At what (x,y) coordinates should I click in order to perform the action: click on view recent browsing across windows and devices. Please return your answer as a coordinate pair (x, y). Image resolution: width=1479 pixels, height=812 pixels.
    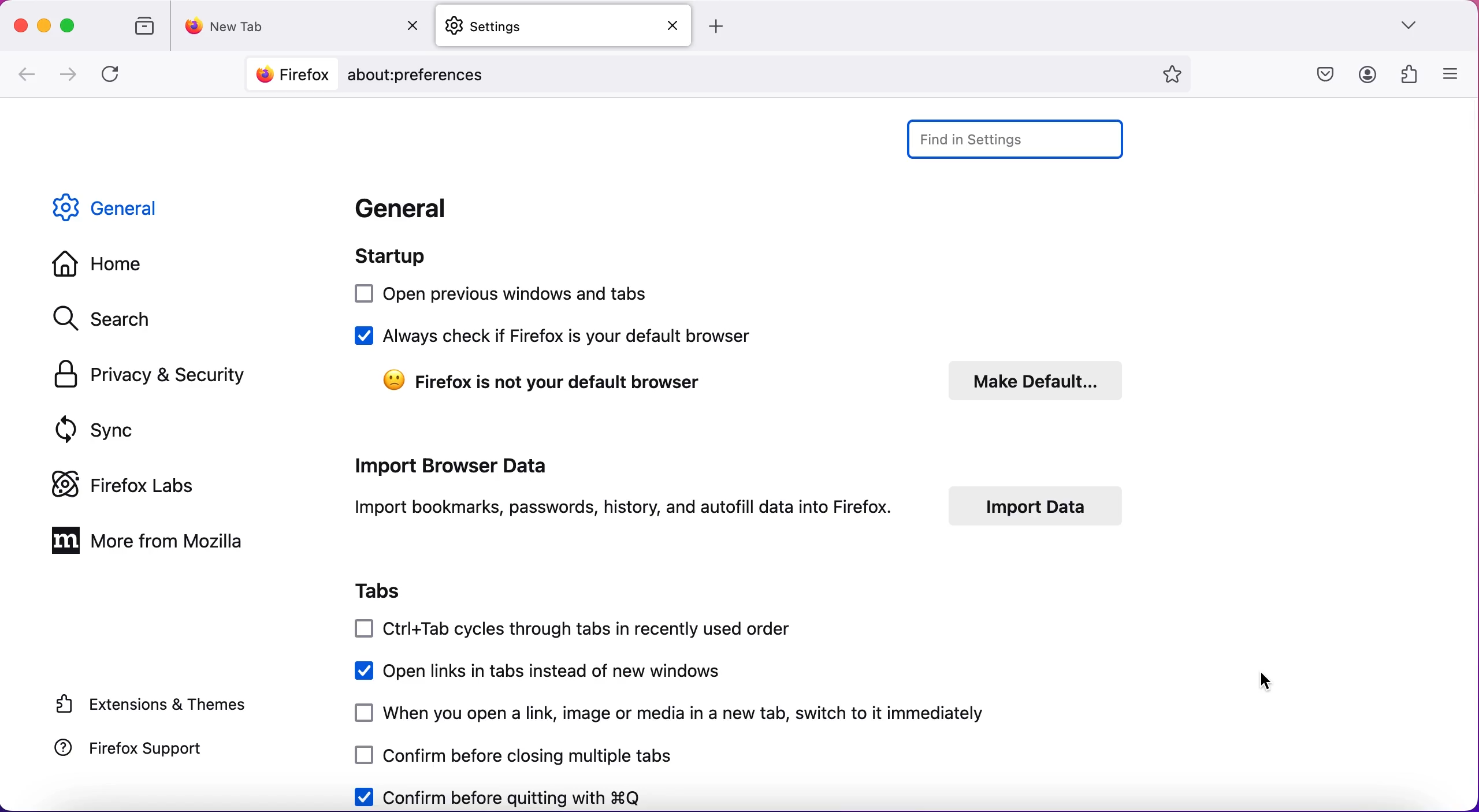
    Looking at the image, I should click on (139, 27).